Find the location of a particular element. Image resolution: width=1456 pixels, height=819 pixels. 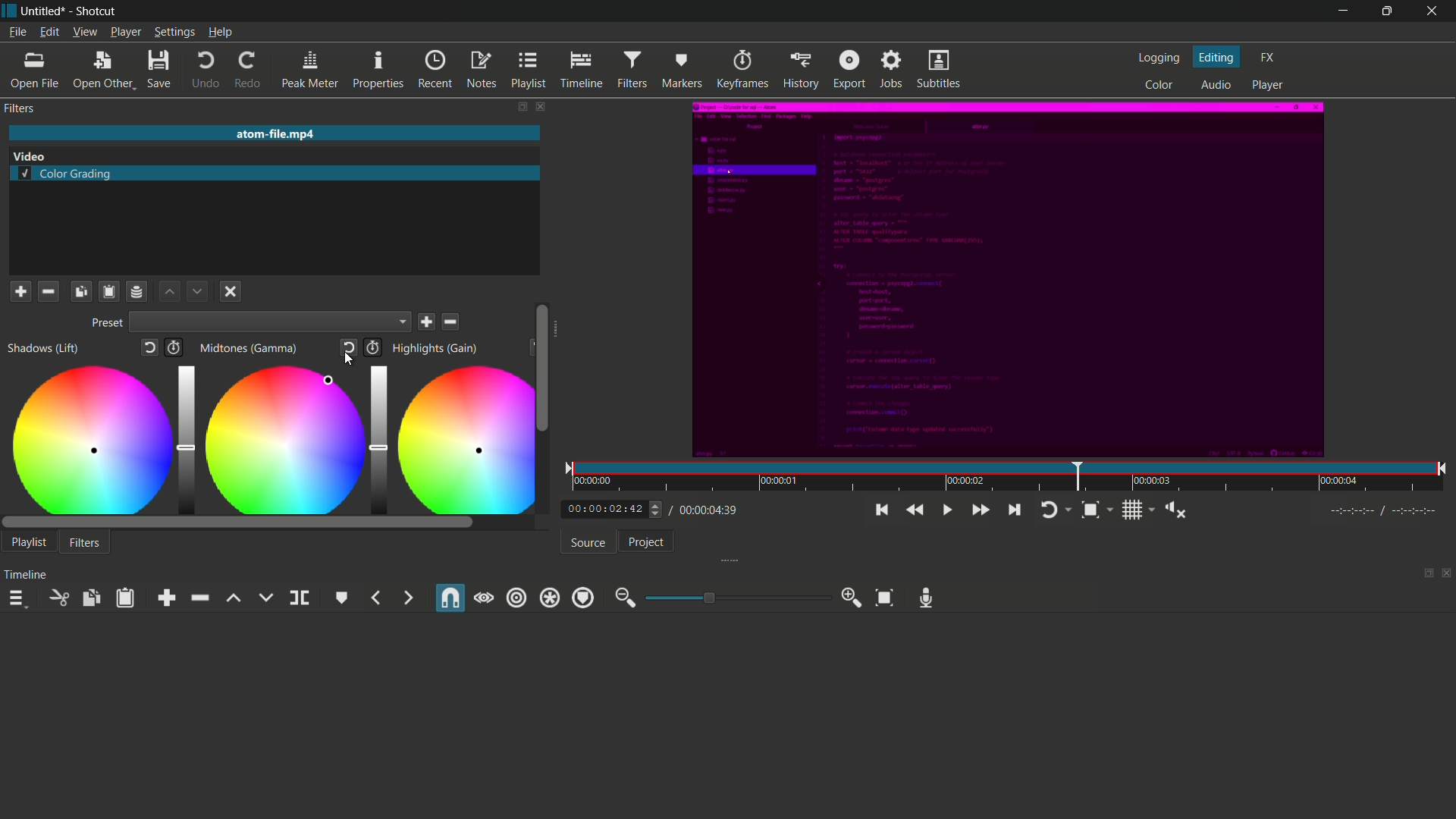

player is located at coordinates (1268, 86).